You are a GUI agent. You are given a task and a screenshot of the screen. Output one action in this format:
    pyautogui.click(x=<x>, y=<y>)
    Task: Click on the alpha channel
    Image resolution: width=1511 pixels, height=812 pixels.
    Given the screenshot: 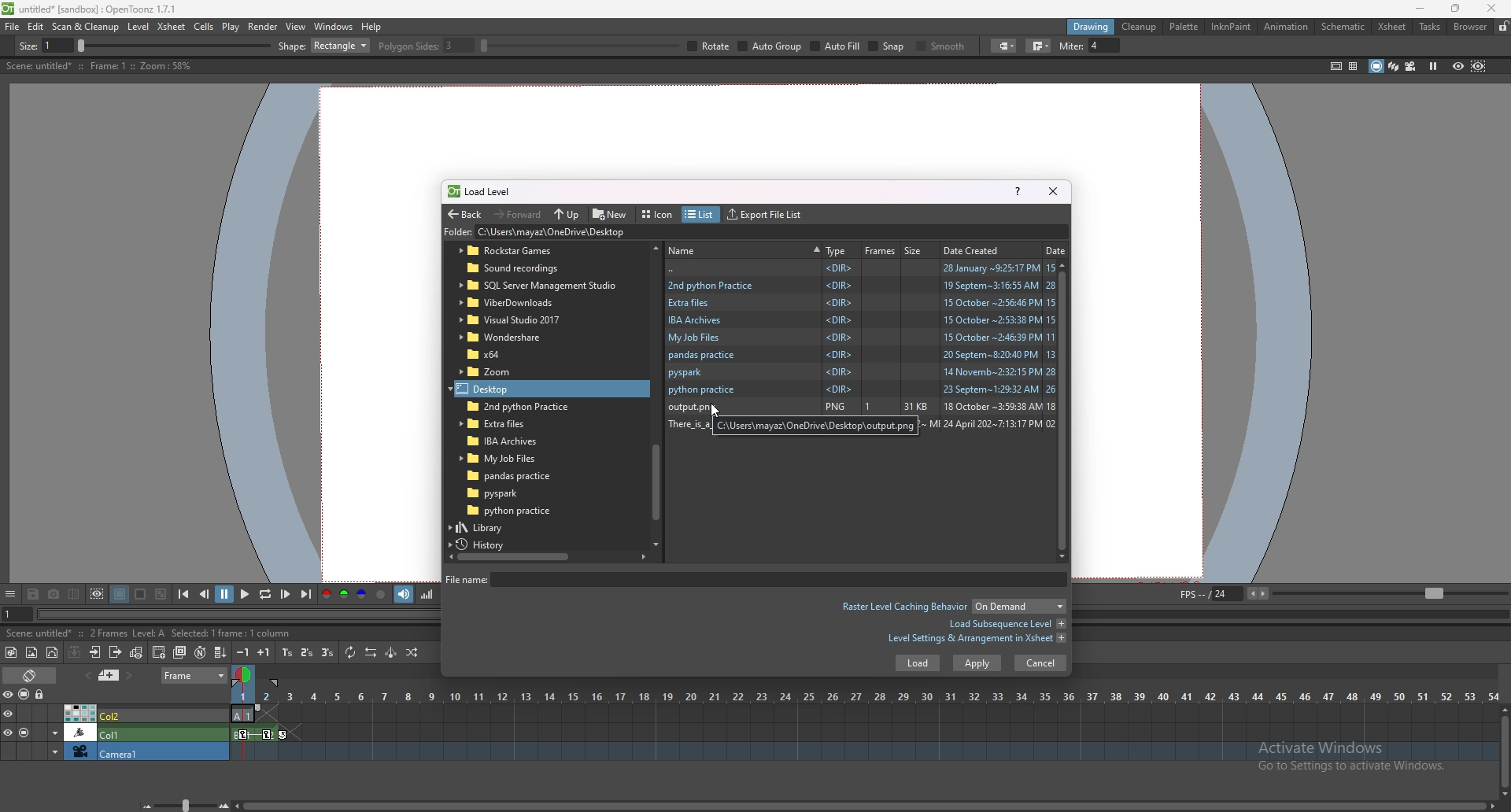 What is the action you would take?
    pyautogui.click(x=381, y=595)
    